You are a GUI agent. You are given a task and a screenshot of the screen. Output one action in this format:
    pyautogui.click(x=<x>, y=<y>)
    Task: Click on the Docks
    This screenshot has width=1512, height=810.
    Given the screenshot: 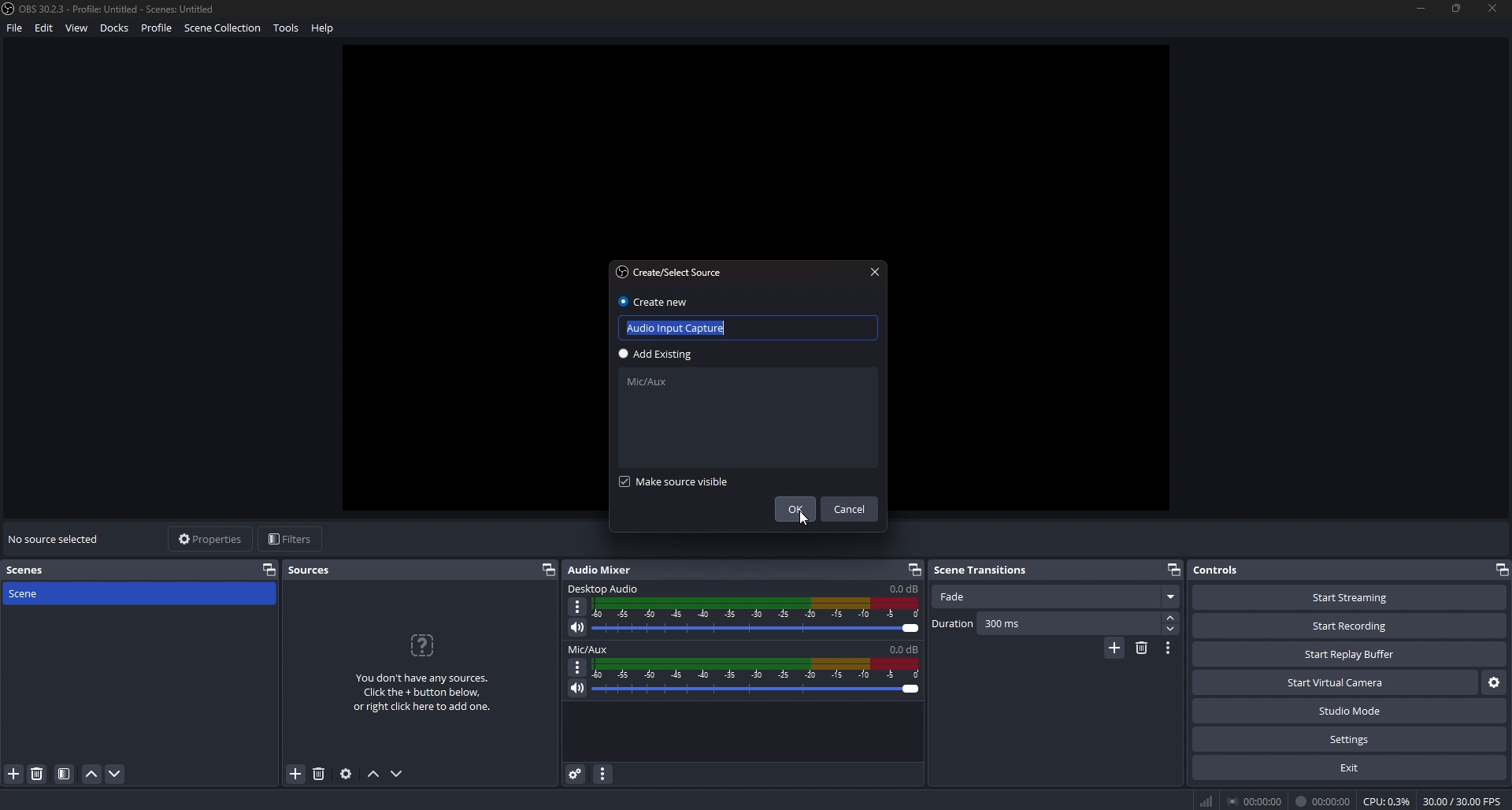 What is the action you would take?
    pyautogui.click(x=117, y=30)
    